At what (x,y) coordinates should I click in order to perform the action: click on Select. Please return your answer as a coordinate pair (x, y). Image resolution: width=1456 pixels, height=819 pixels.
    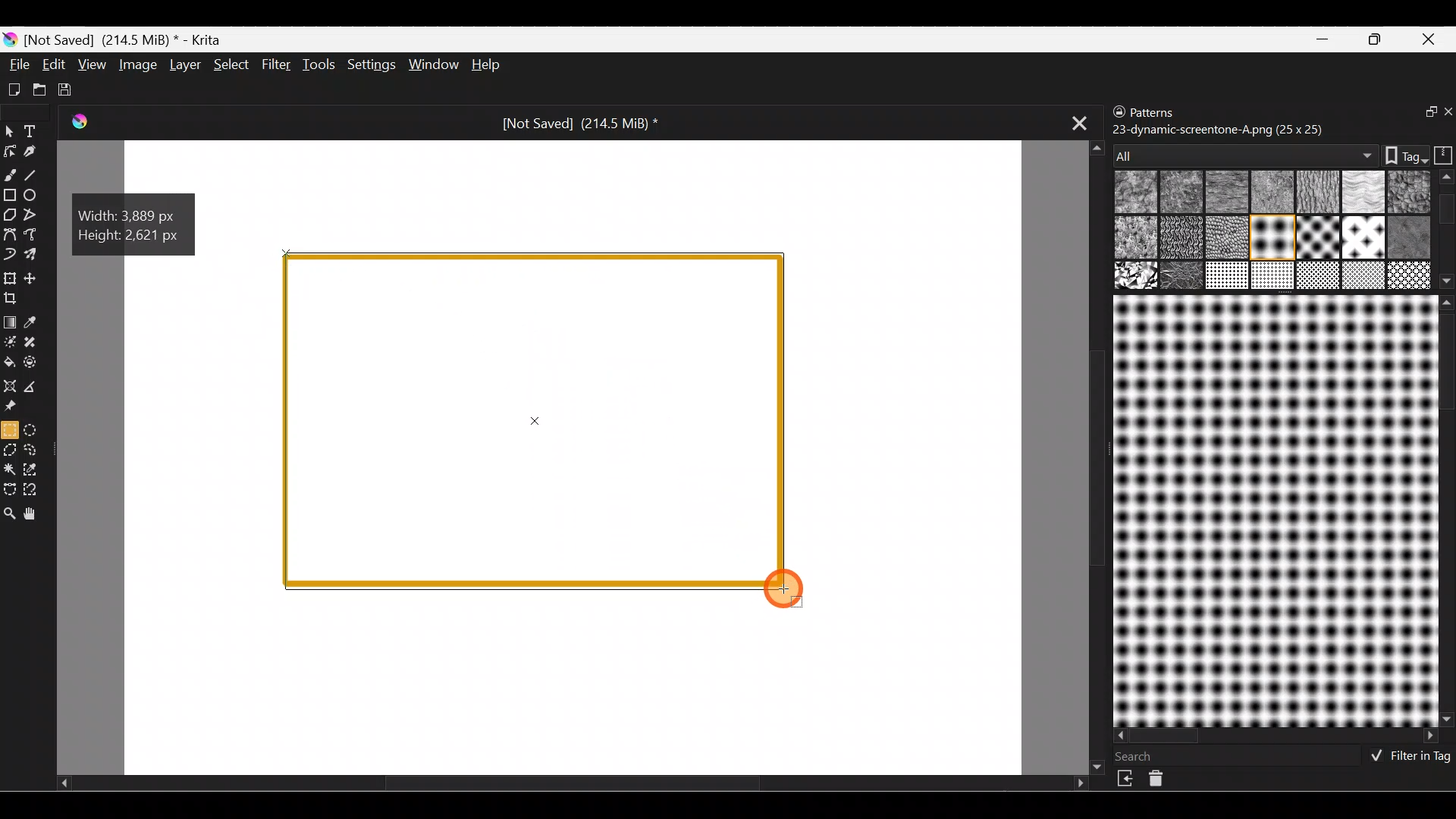
    Looking at the image, I should click on (232, 67).